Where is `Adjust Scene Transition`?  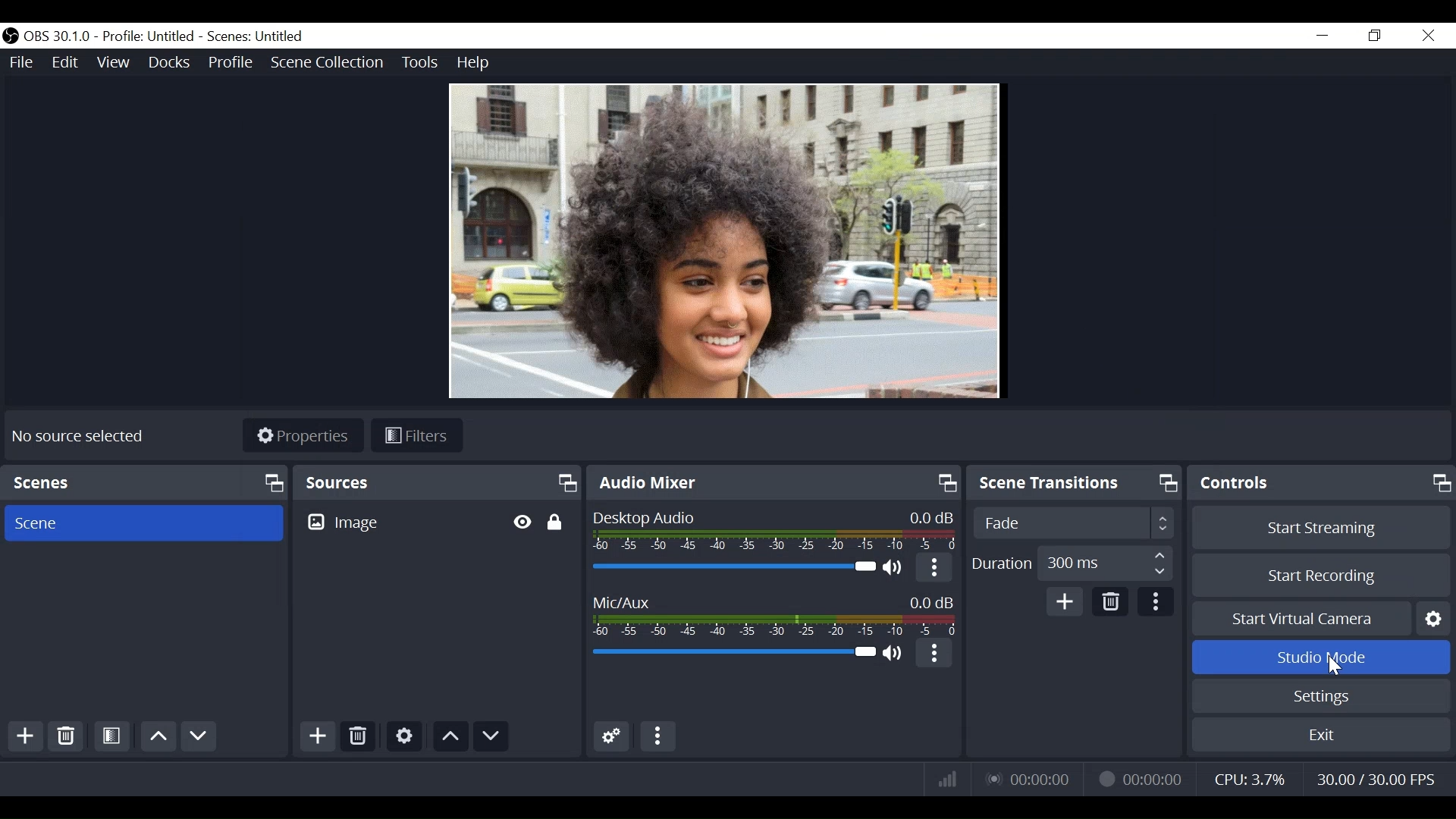
Adjust Scene Transition is located at coordinates (1073, 524).